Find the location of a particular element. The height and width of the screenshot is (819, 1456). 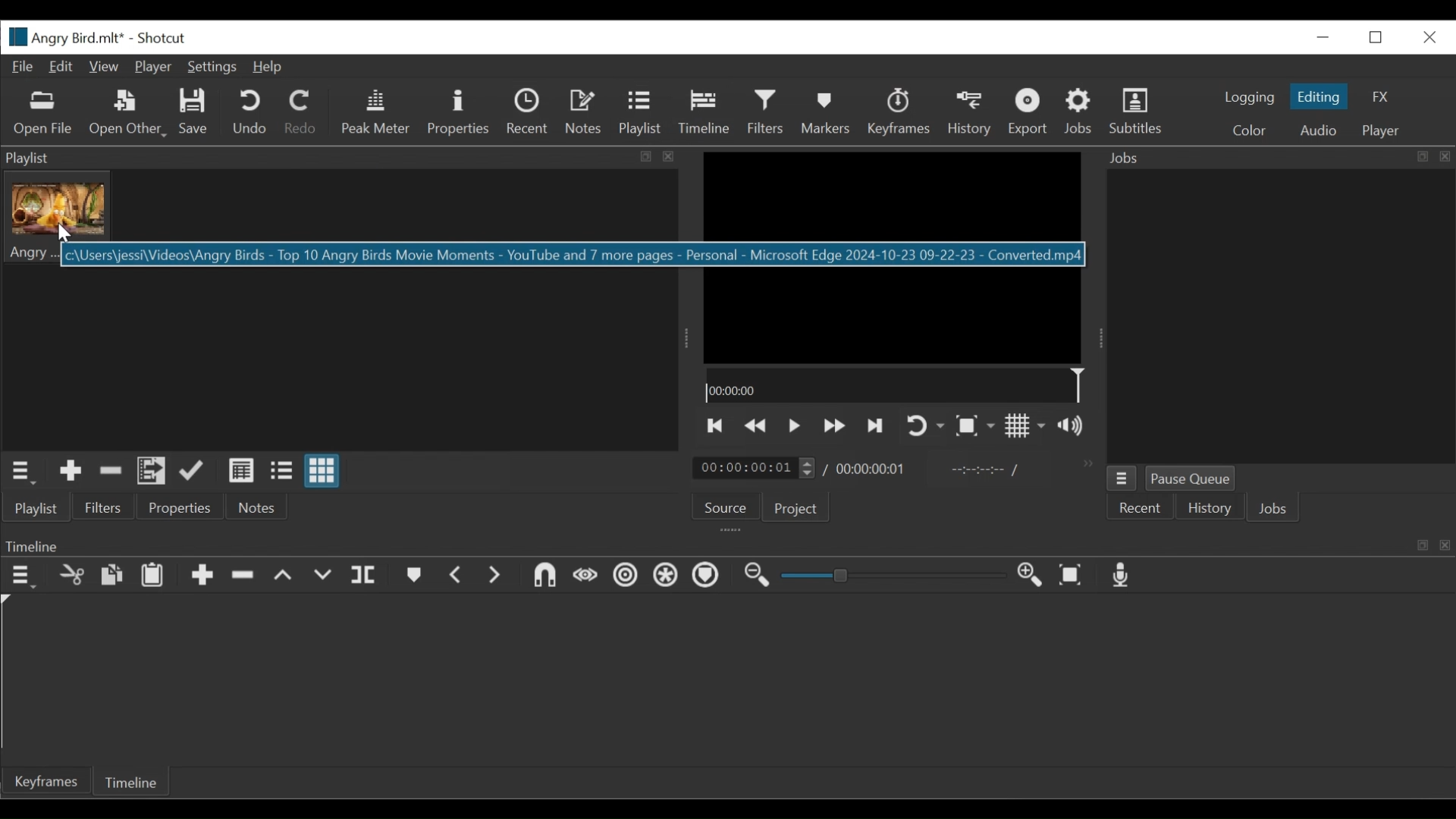

Recent is located at coordinates (1139, 507).